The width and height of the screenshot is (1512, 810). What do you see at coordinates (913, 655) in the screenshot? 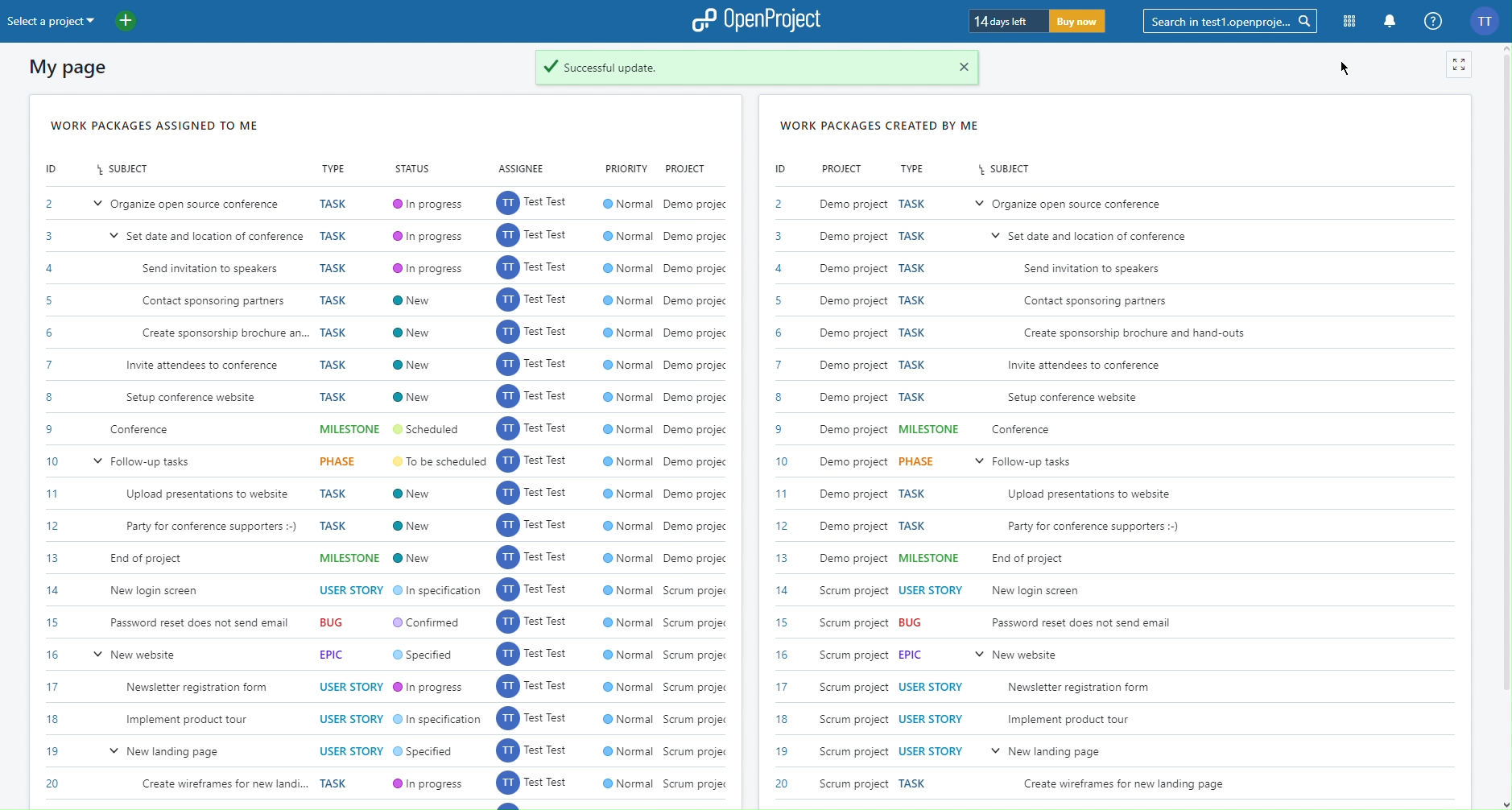
I see `Epic` at bounding box center [913, 655].